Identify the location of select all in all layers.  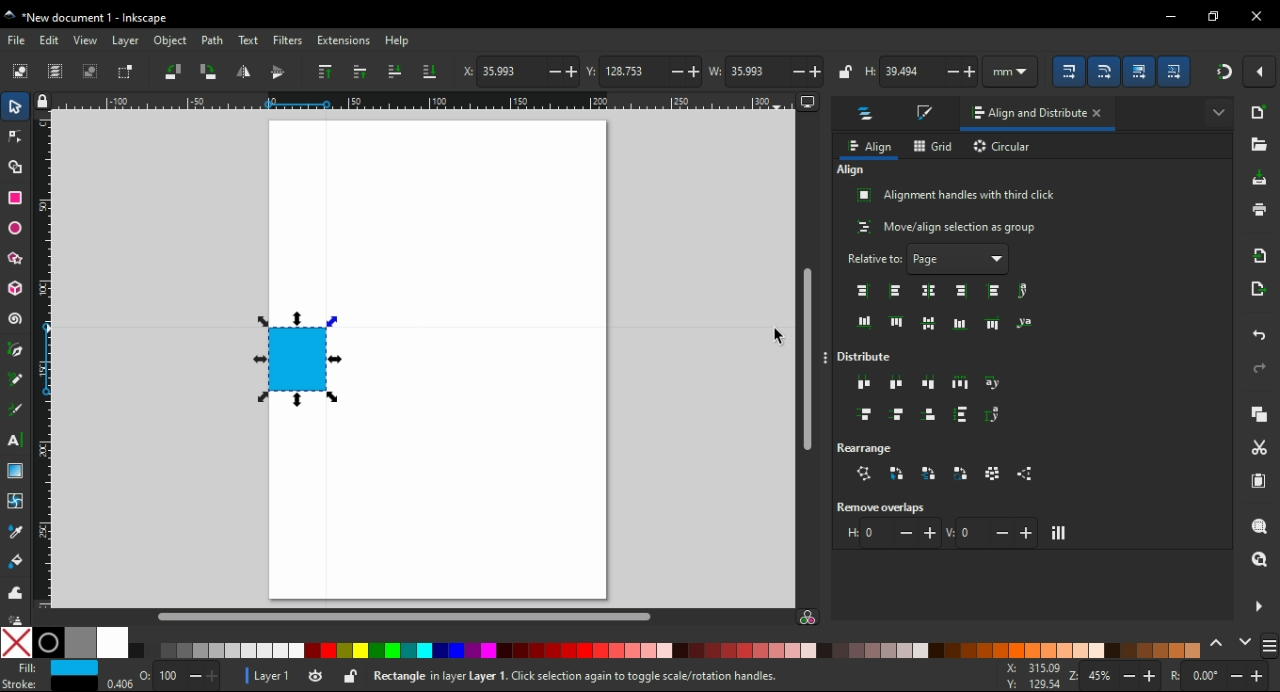
(56, 72).